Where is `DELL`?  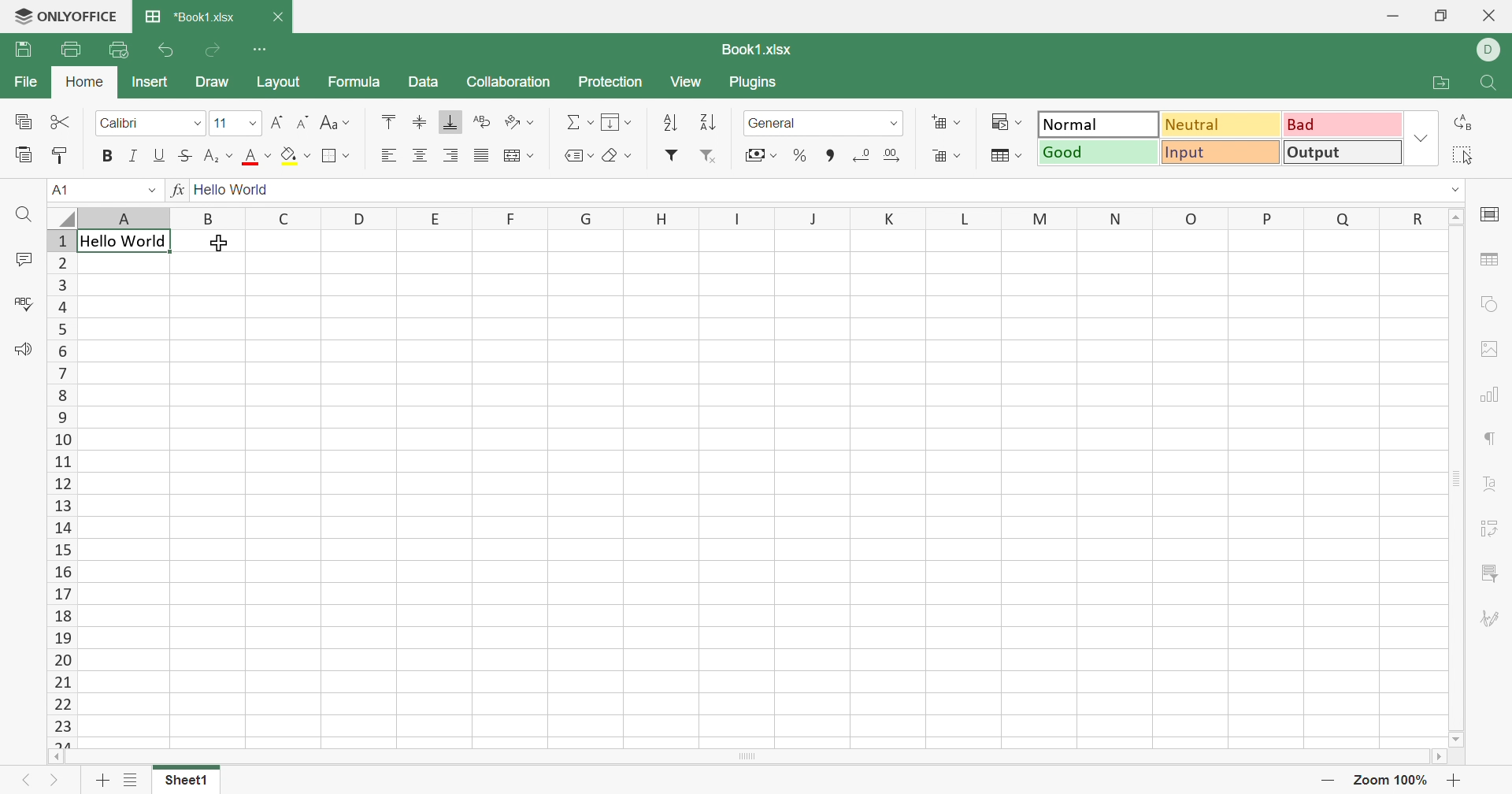 DELL is located at coordinates (1491, 50).